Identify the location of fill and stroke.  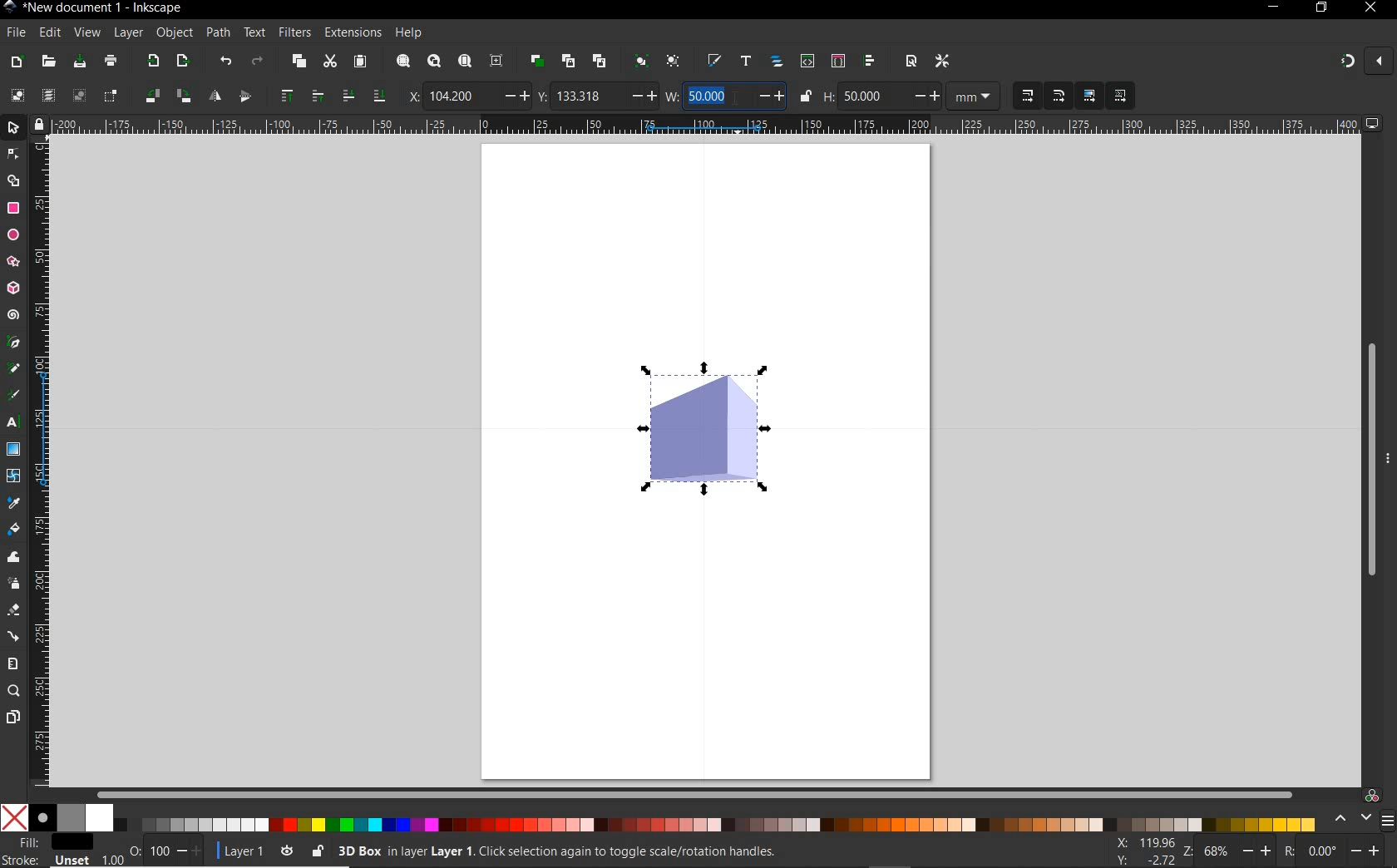
(49, 851).